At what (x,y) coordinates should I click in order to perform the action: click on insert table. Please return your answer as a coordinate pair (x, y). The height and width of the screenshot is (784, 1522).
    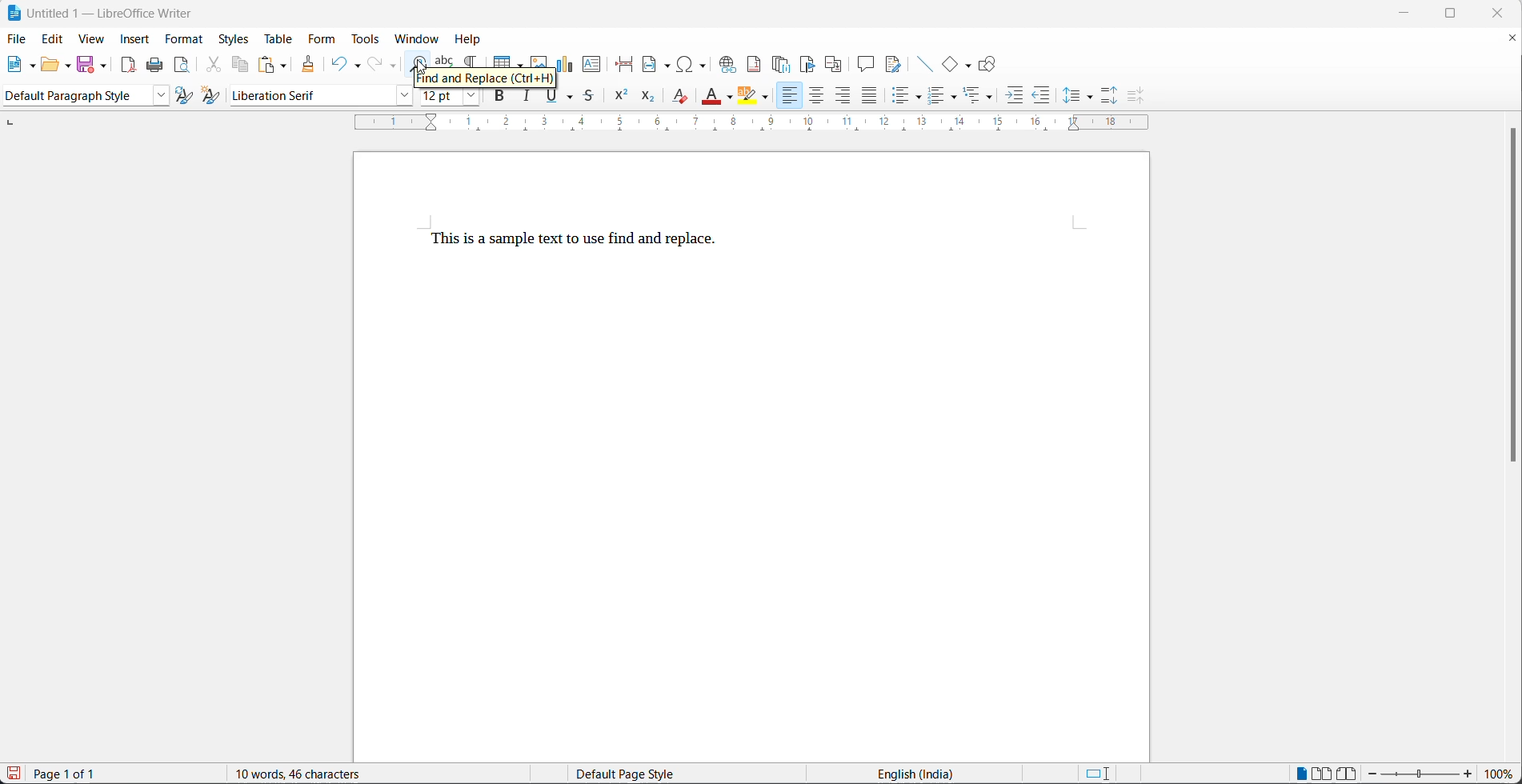
    Looking at the image, I should click on (508, 59).